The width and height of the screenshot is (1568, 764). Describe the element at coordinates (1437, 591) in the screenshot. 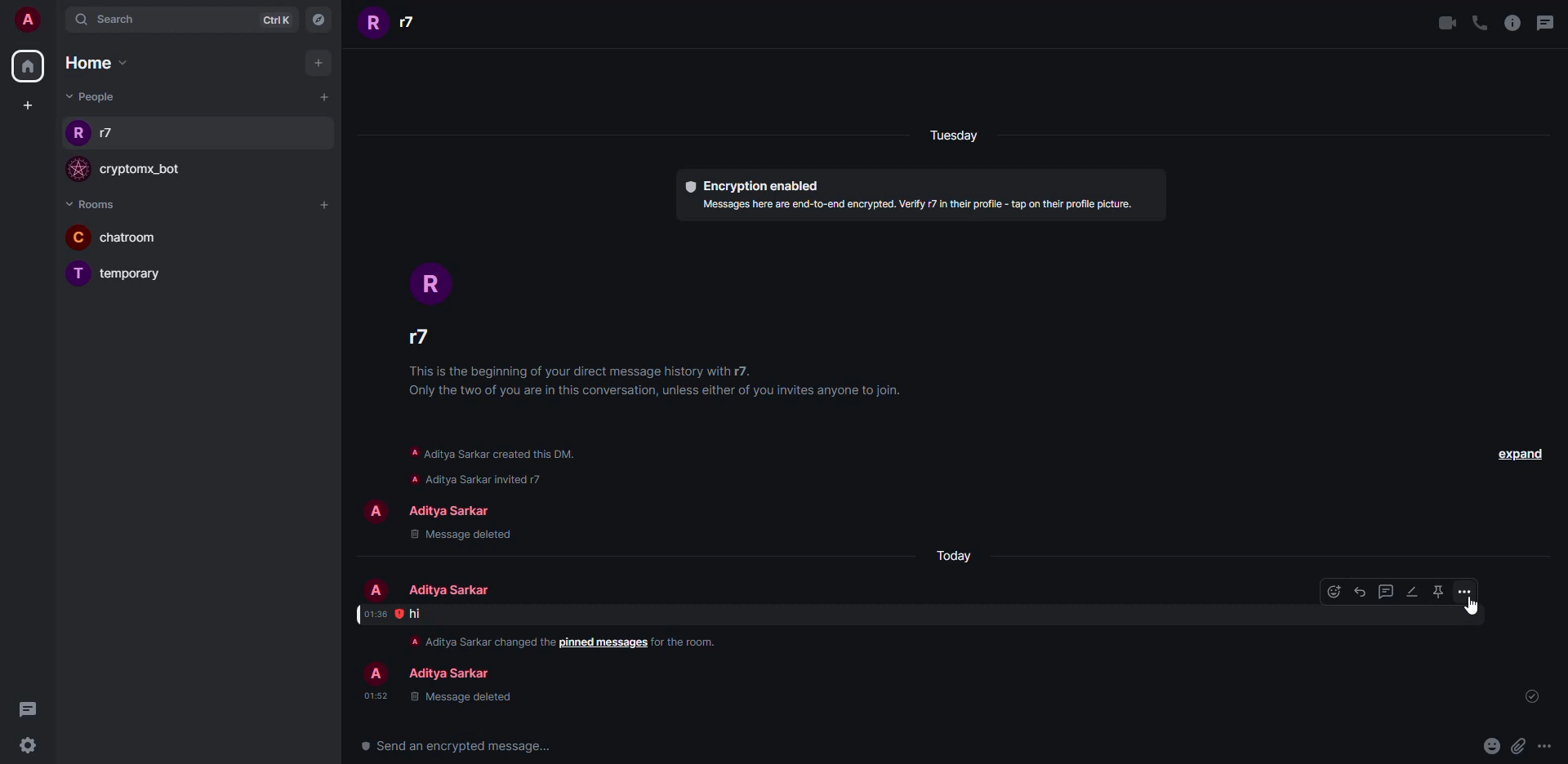

I see `pin` at that location.